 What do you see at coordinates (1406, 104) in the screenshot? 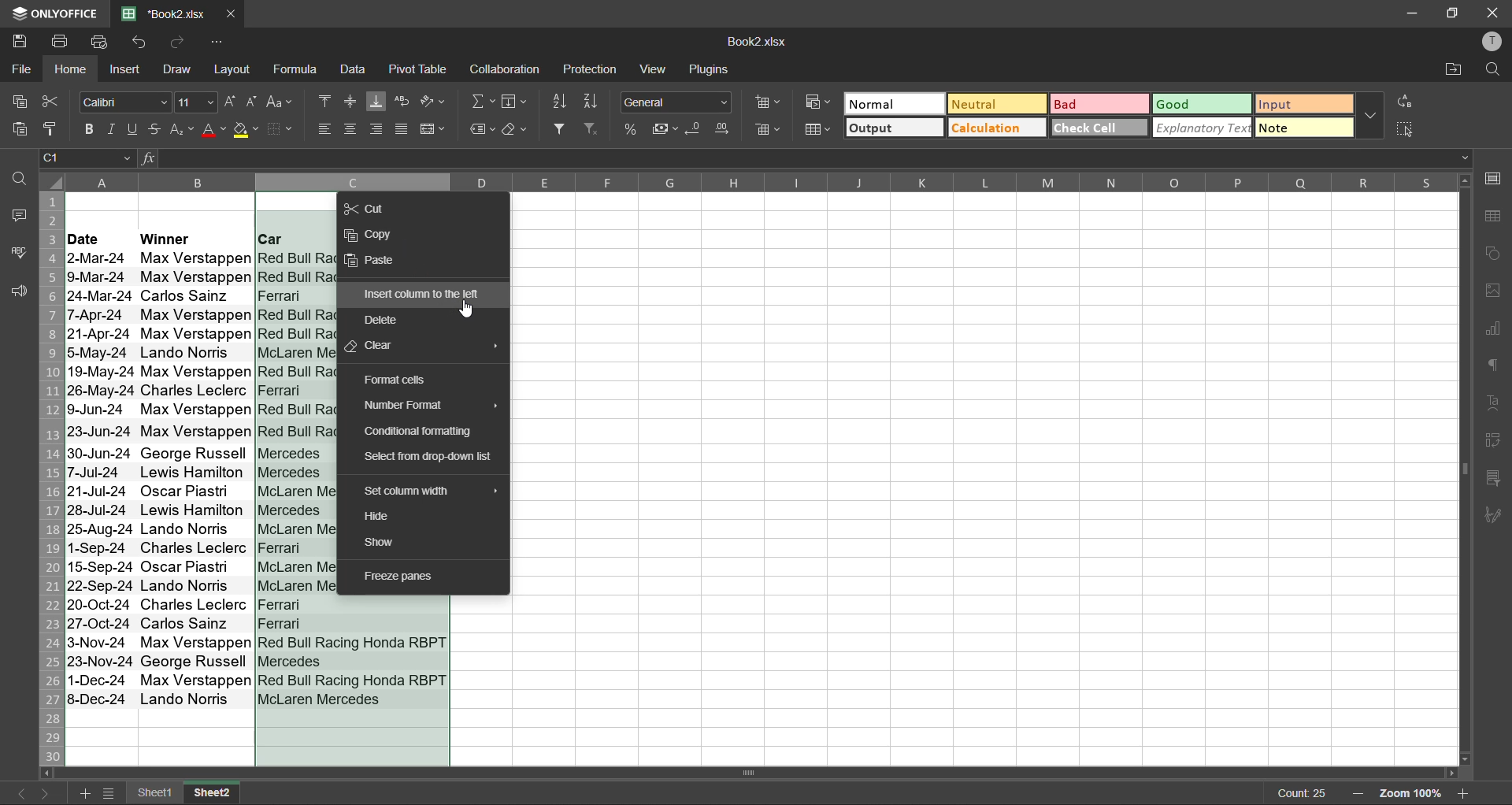
I see `replace` at bounding box center [1406, 104].